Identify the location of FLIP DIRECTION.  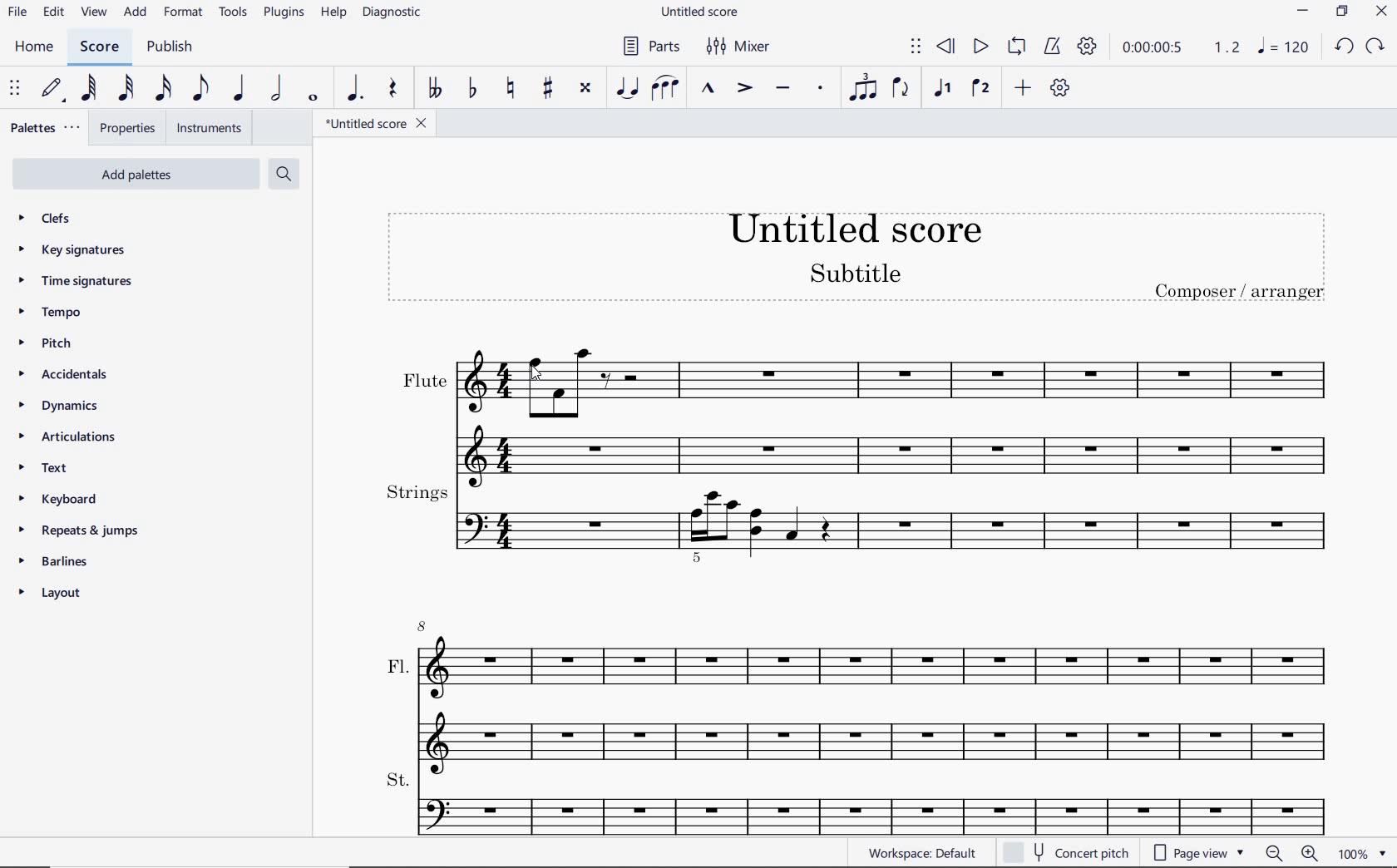
(900, 89).